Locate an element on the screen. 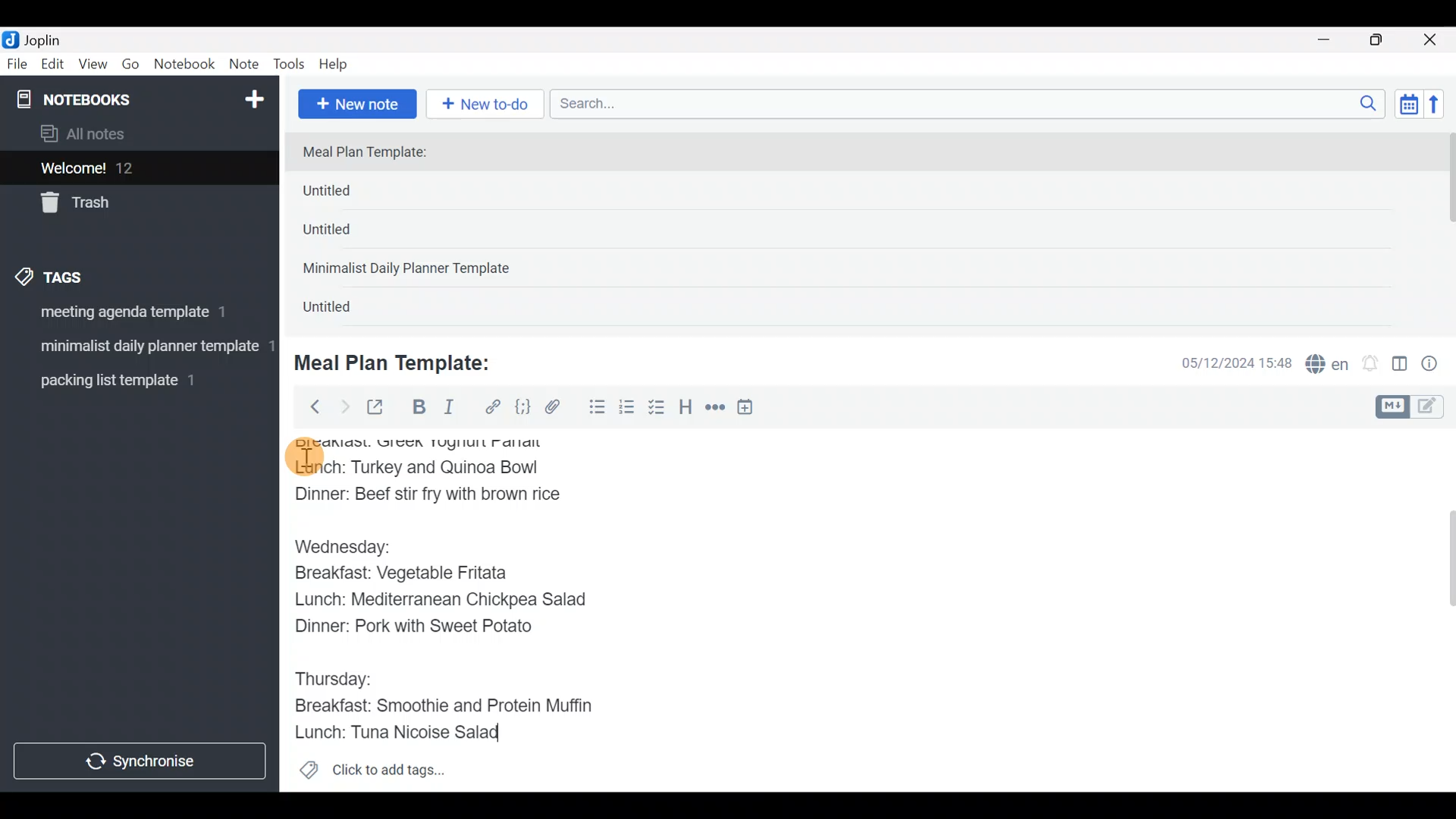 This screenshot has height=819, width=1456. View is located at coordinates (93, 67).